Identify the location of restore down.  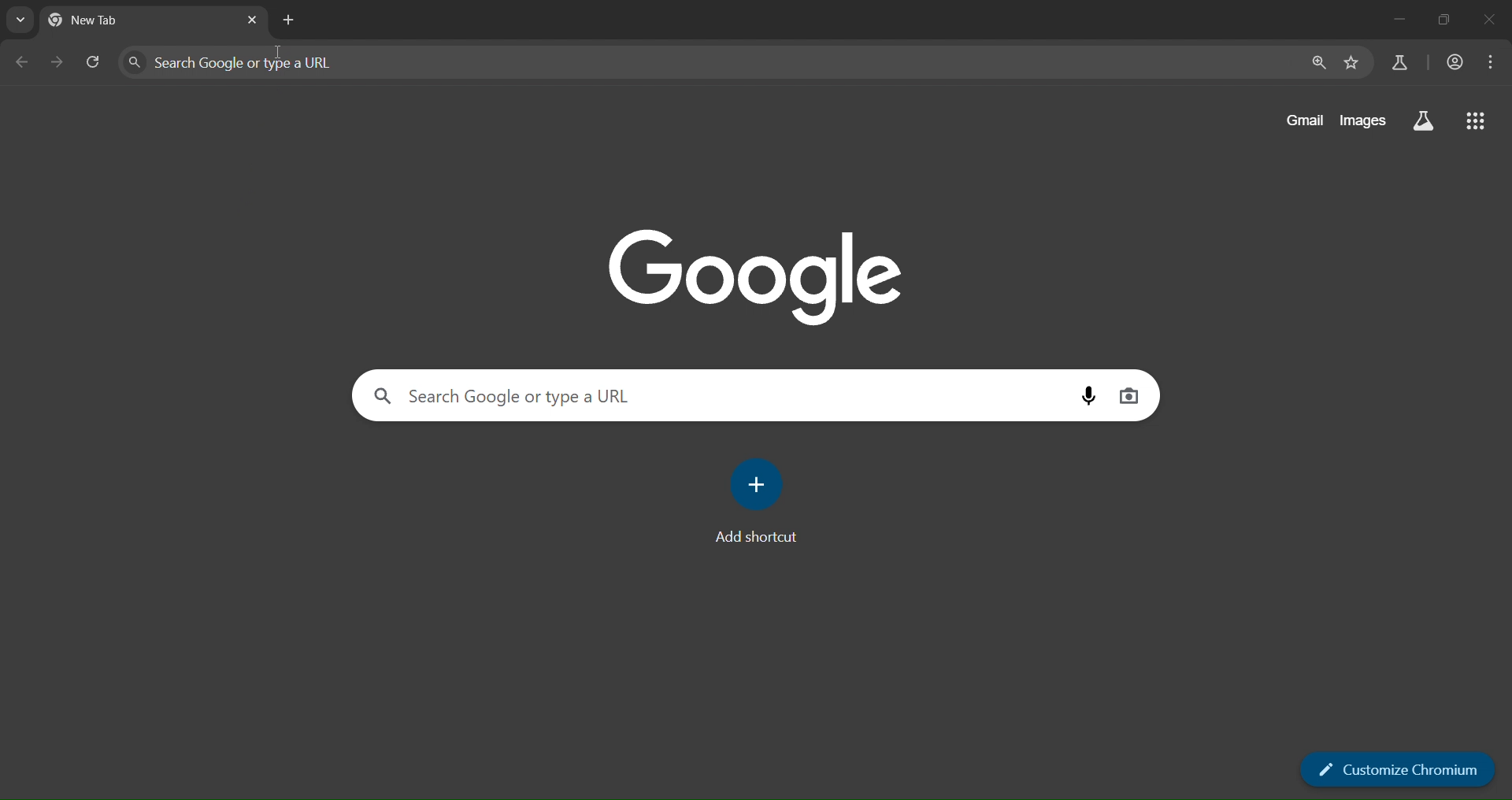
(1444, 20).